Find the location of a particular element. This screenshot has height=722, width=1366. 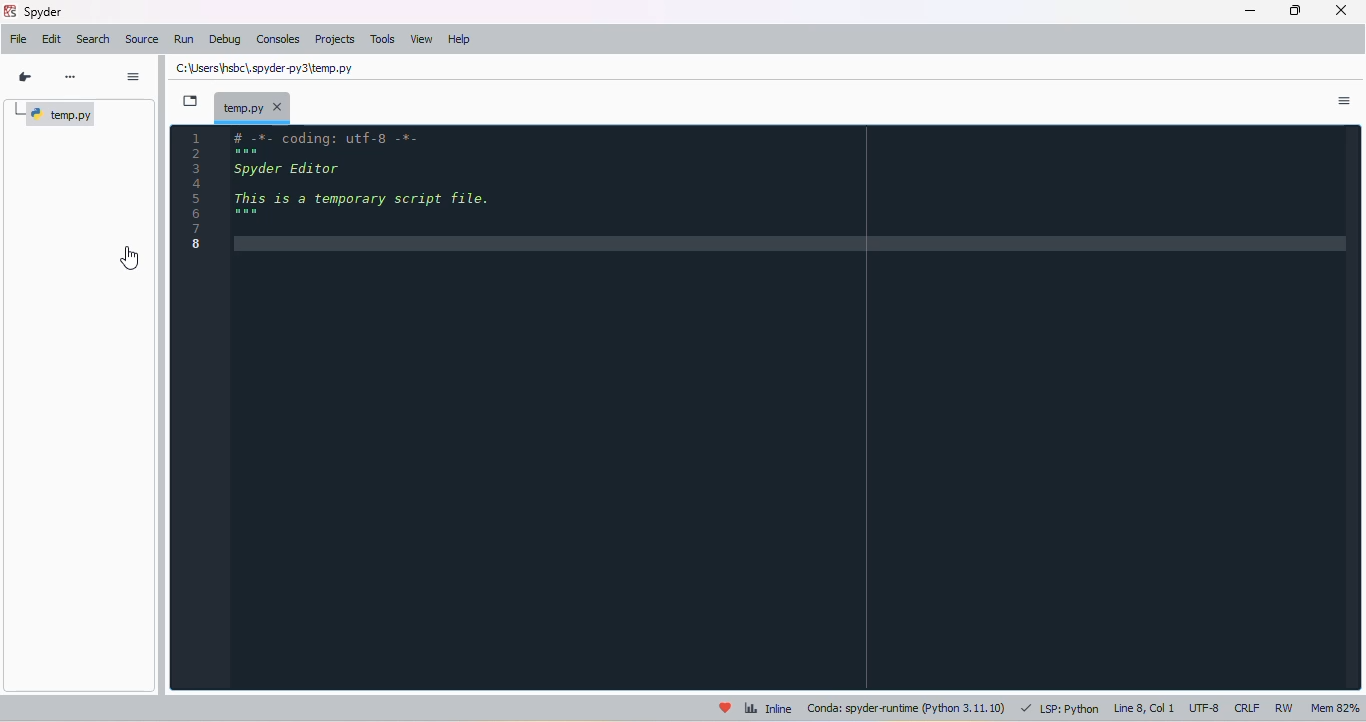

close is located at coordinates (1342, 10).